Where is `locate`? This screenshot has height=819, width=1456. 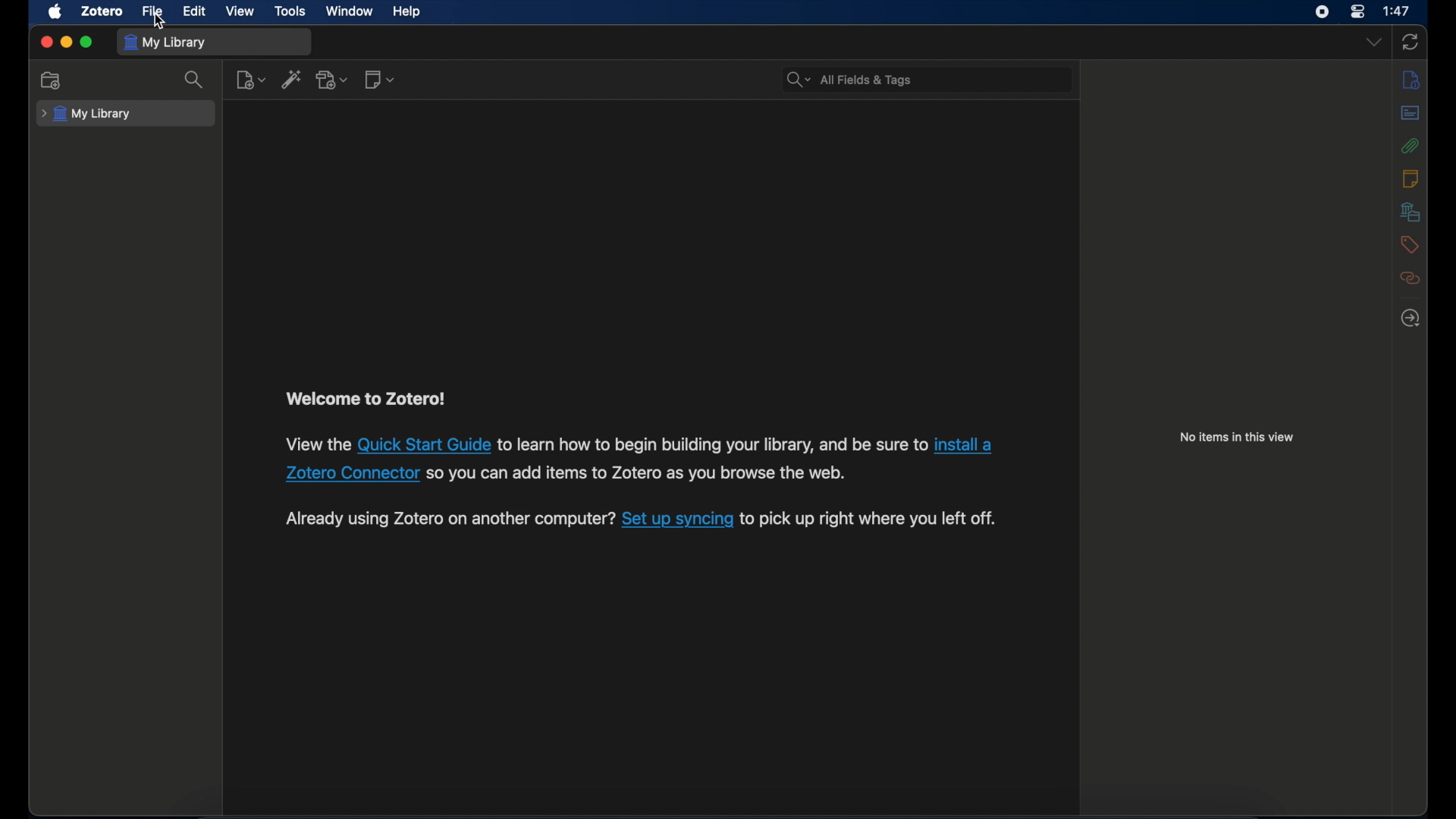 locate is located at coordinates (1410, 318).